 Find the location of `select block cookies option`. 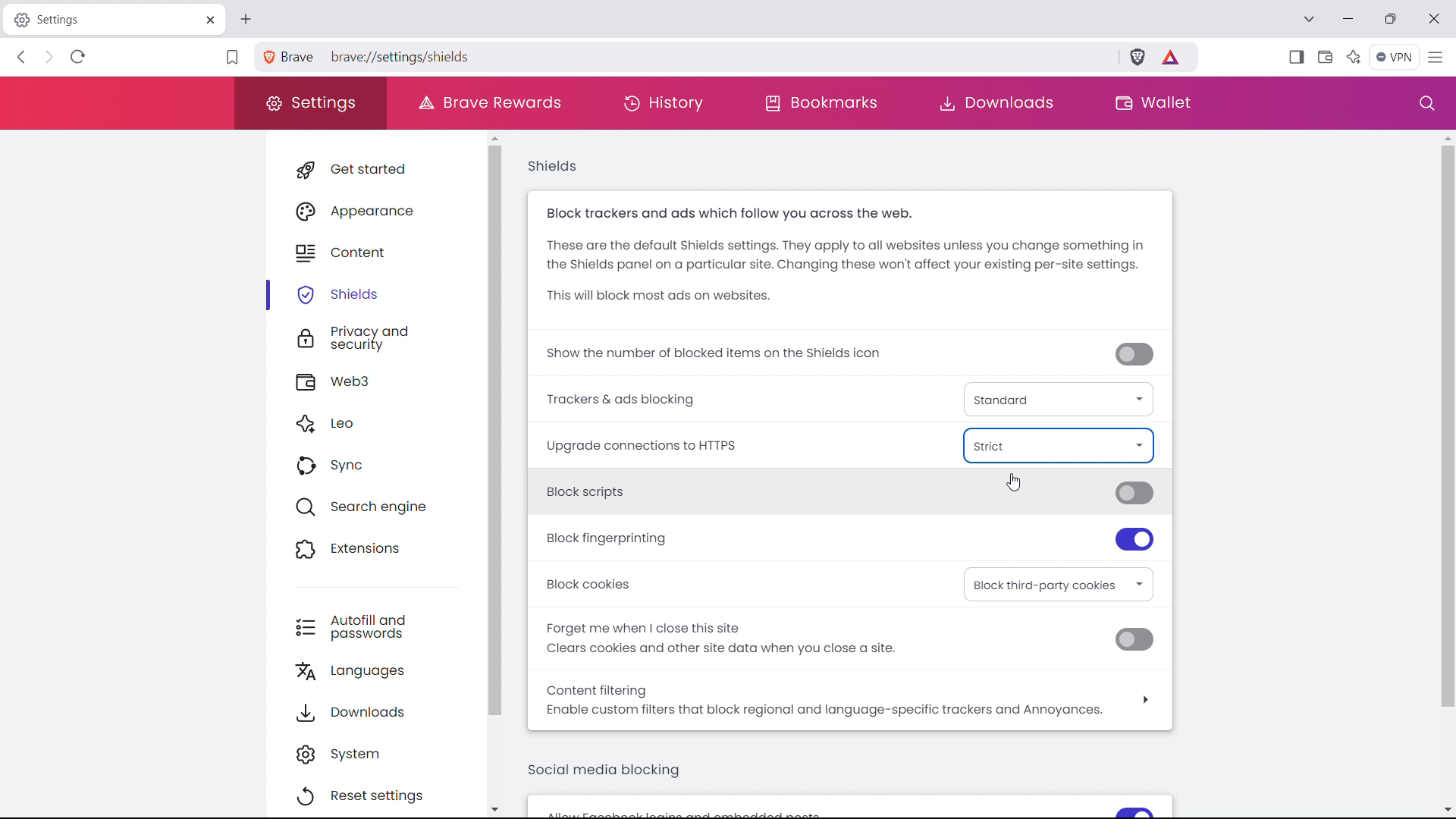

select block cookies option is located at coordinates (1060, 584).